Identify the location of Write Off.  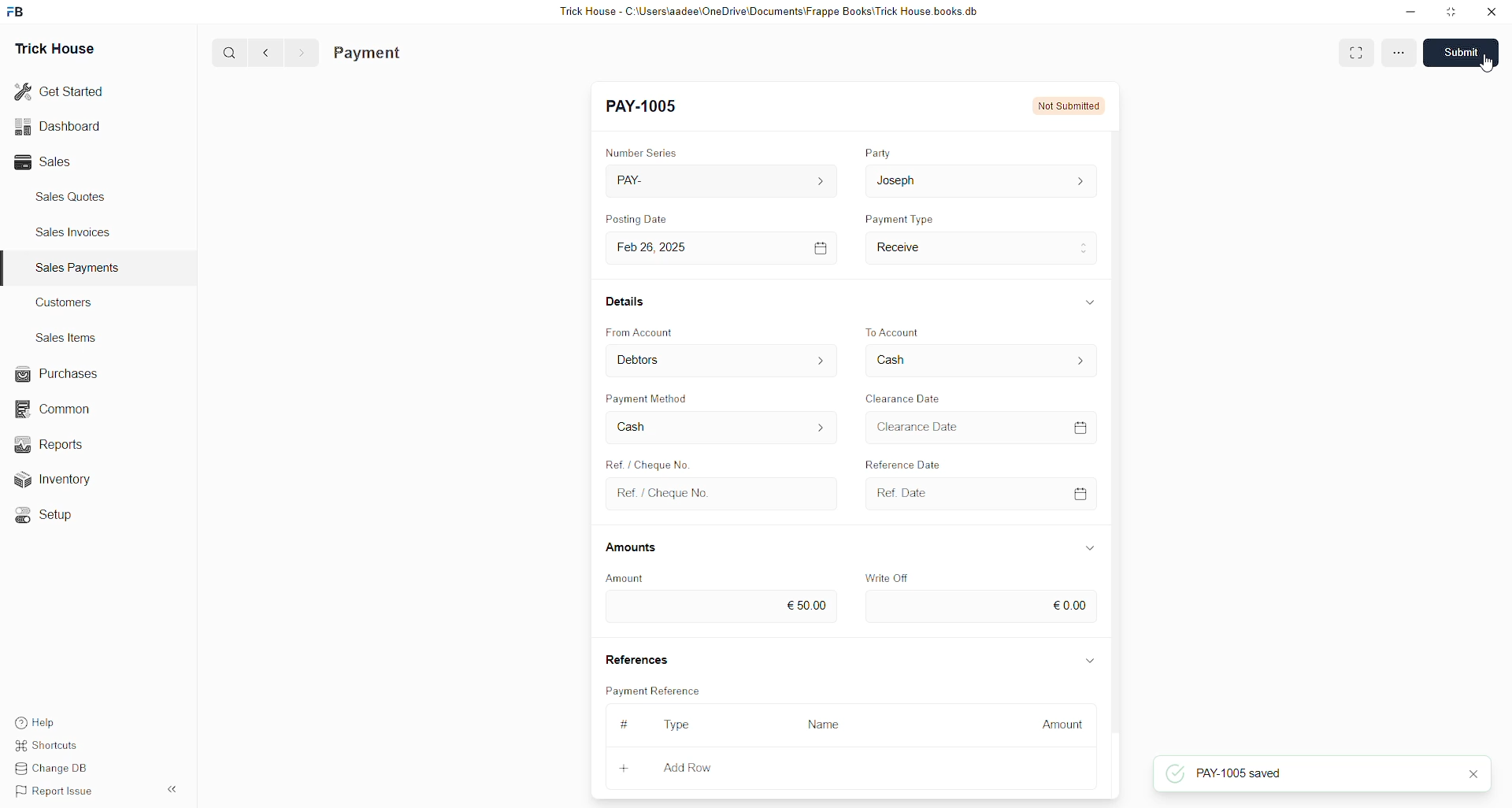
(885, 578).